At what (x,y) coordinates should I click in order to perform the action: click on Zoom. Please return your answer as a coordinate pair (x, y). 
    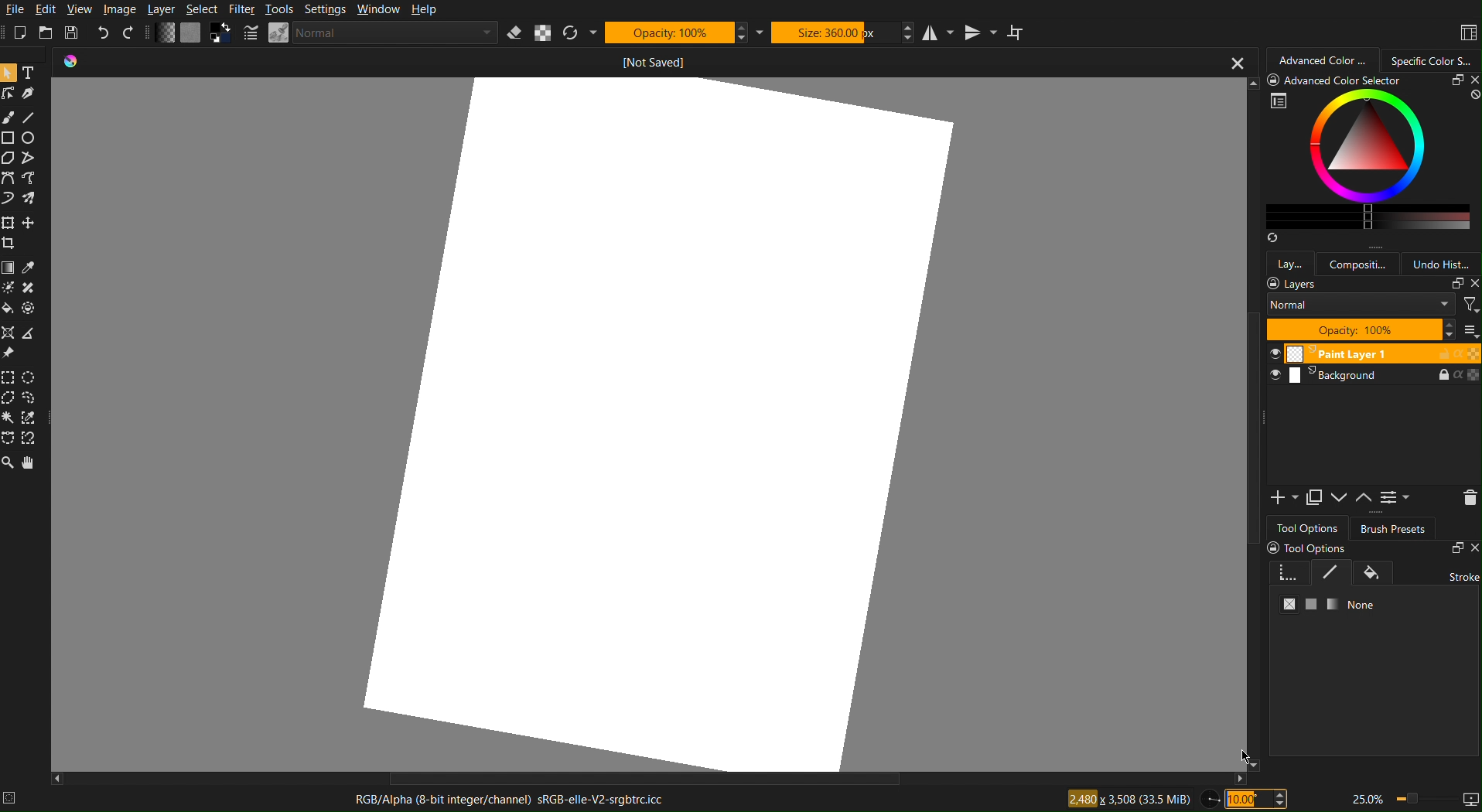
    Looking at the image, I should click on (1413, 799).